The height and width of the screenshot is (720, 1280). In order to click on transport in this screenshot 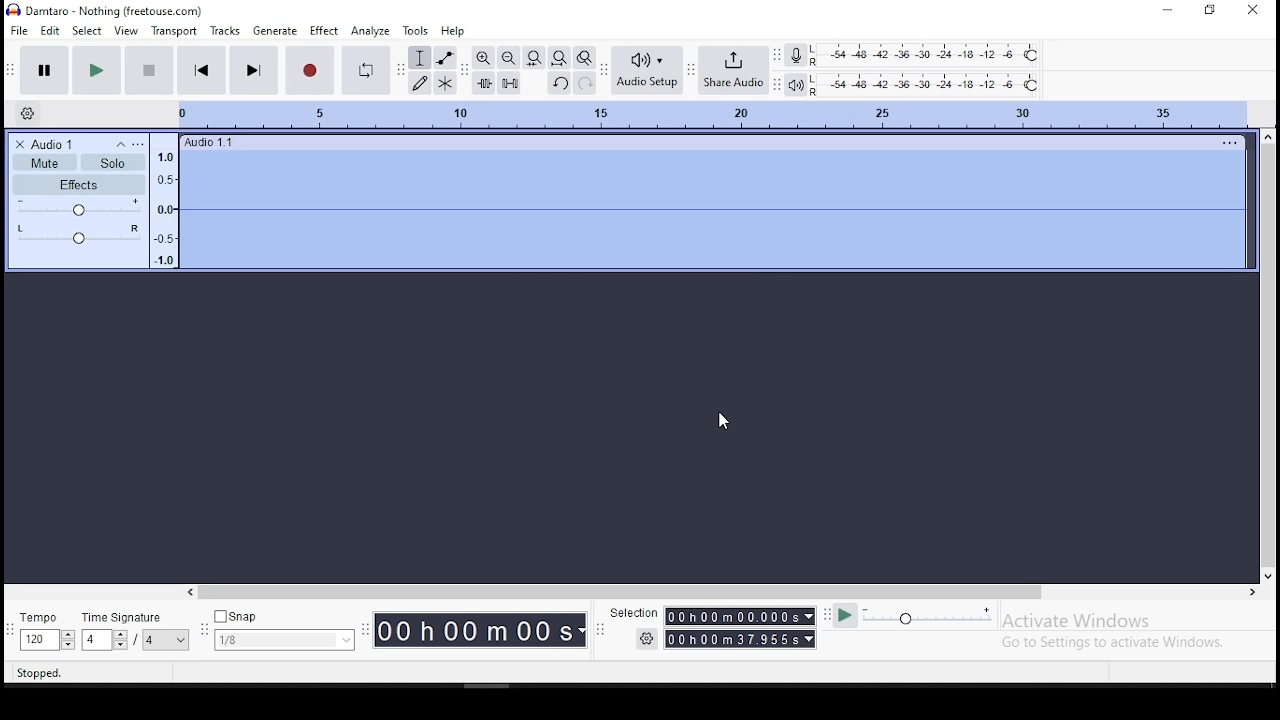, I will do `click(173, 31)`.